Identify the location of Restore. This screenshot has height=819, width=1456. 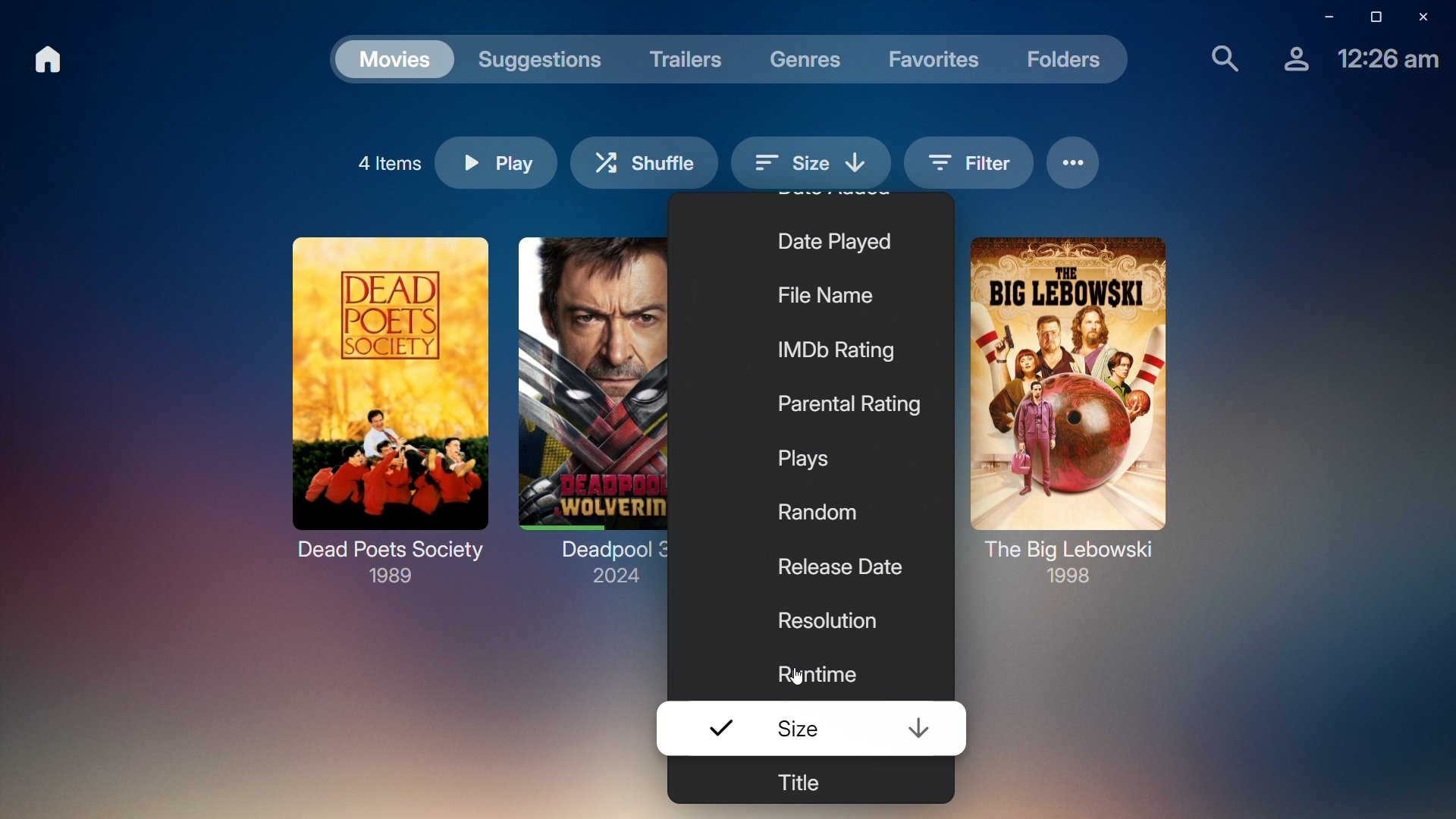
(1370, 17).